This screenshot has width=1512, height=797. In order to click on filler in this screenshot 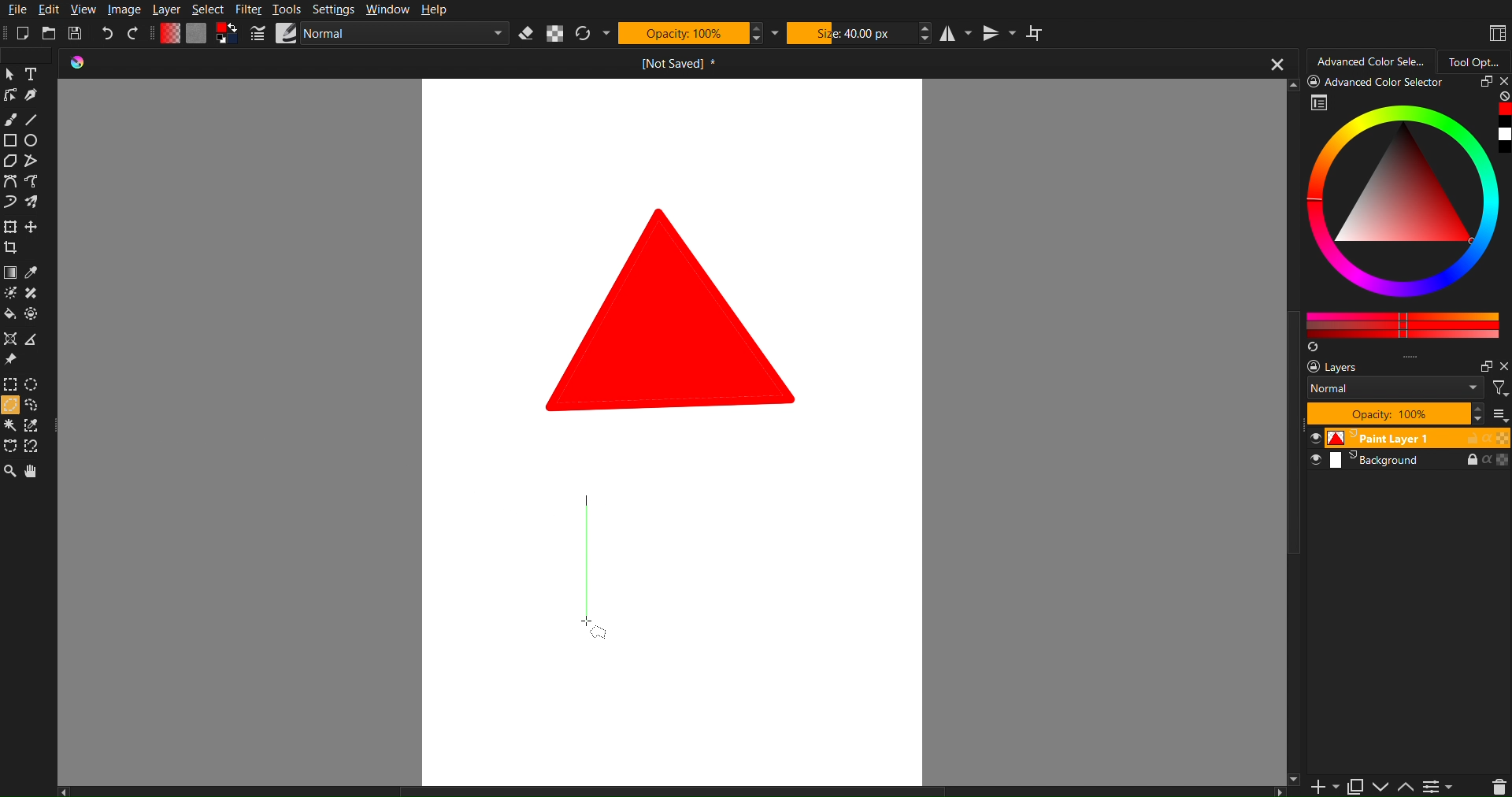, I will do `click(9, 316)`.